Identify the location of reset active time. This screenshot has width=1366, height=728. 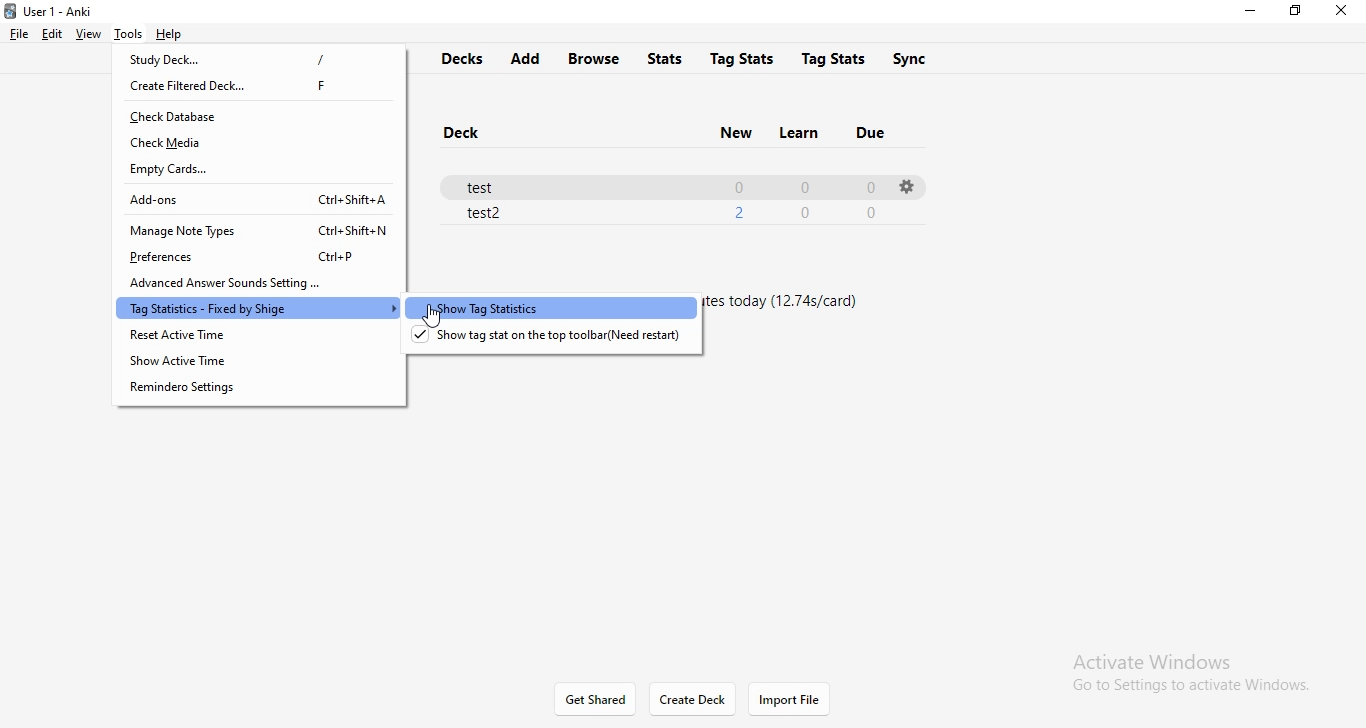
(253, 336).